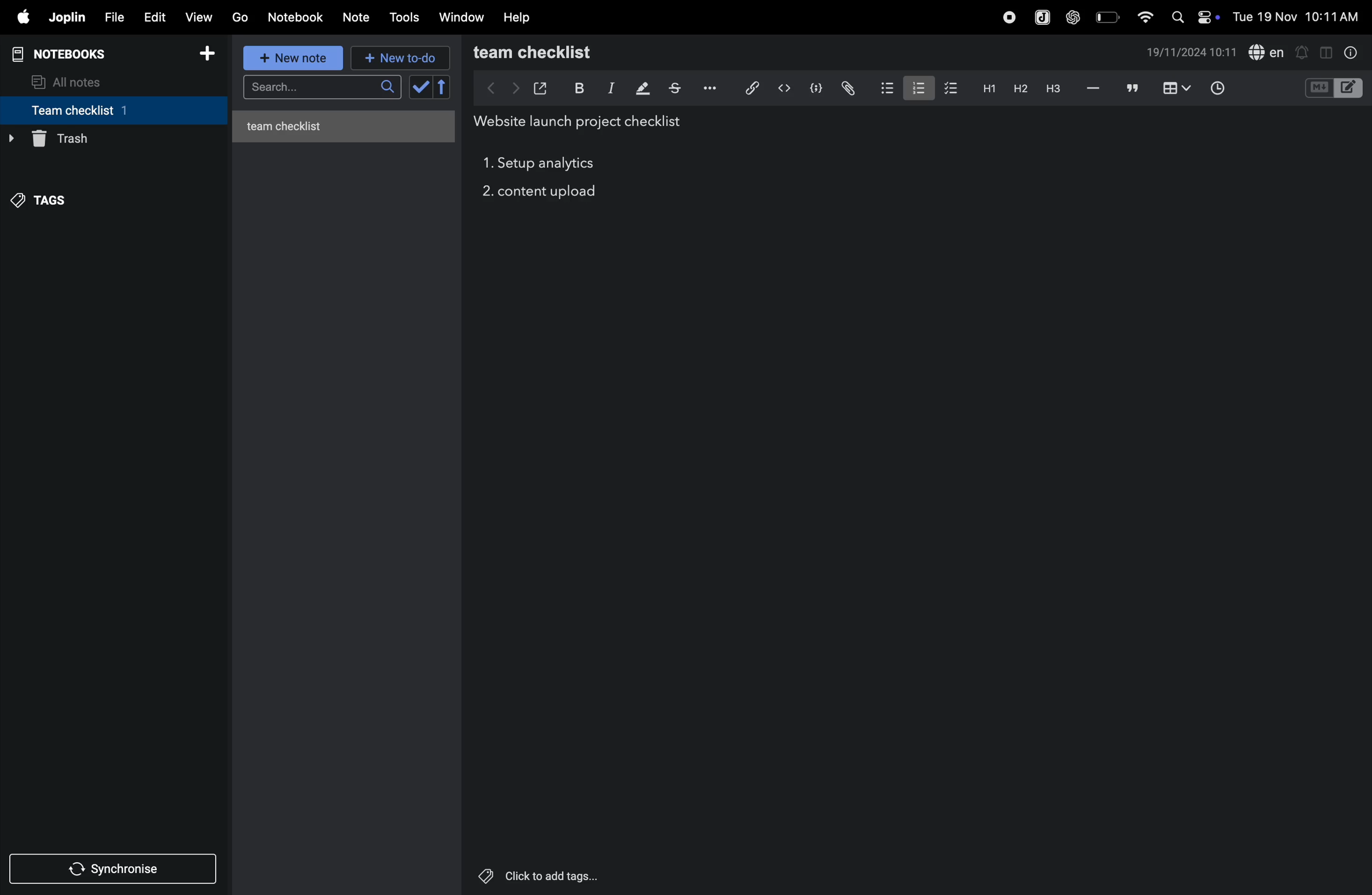 The width and height of the screenshot is (1372, 895). What do you see at coordinates (1071, 17) in the screenshot?
I see `chat gpt` at bounding box center [1071, 17].